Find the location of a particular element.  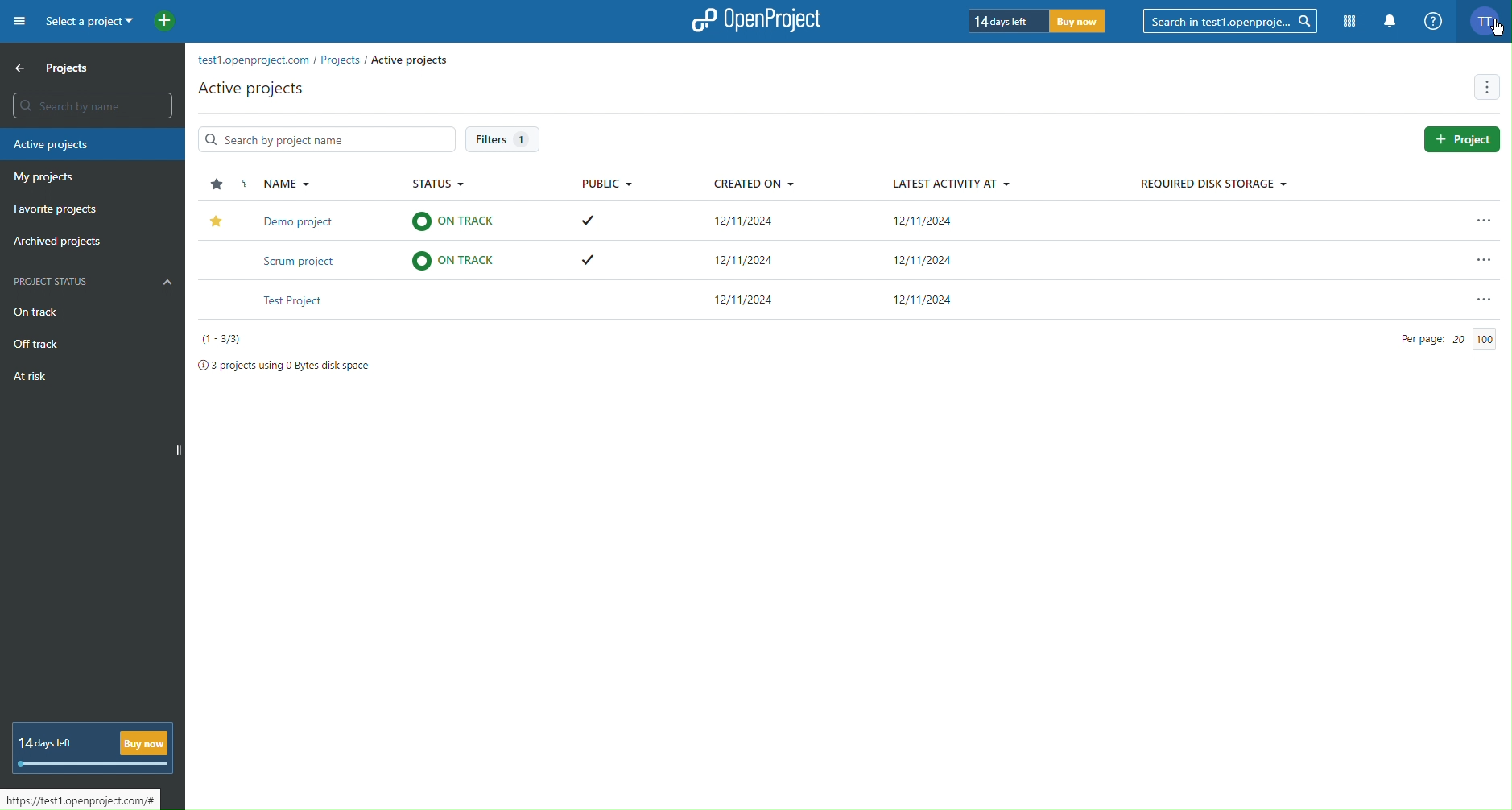

12/11/2024 is located at coordinates (928, 258).